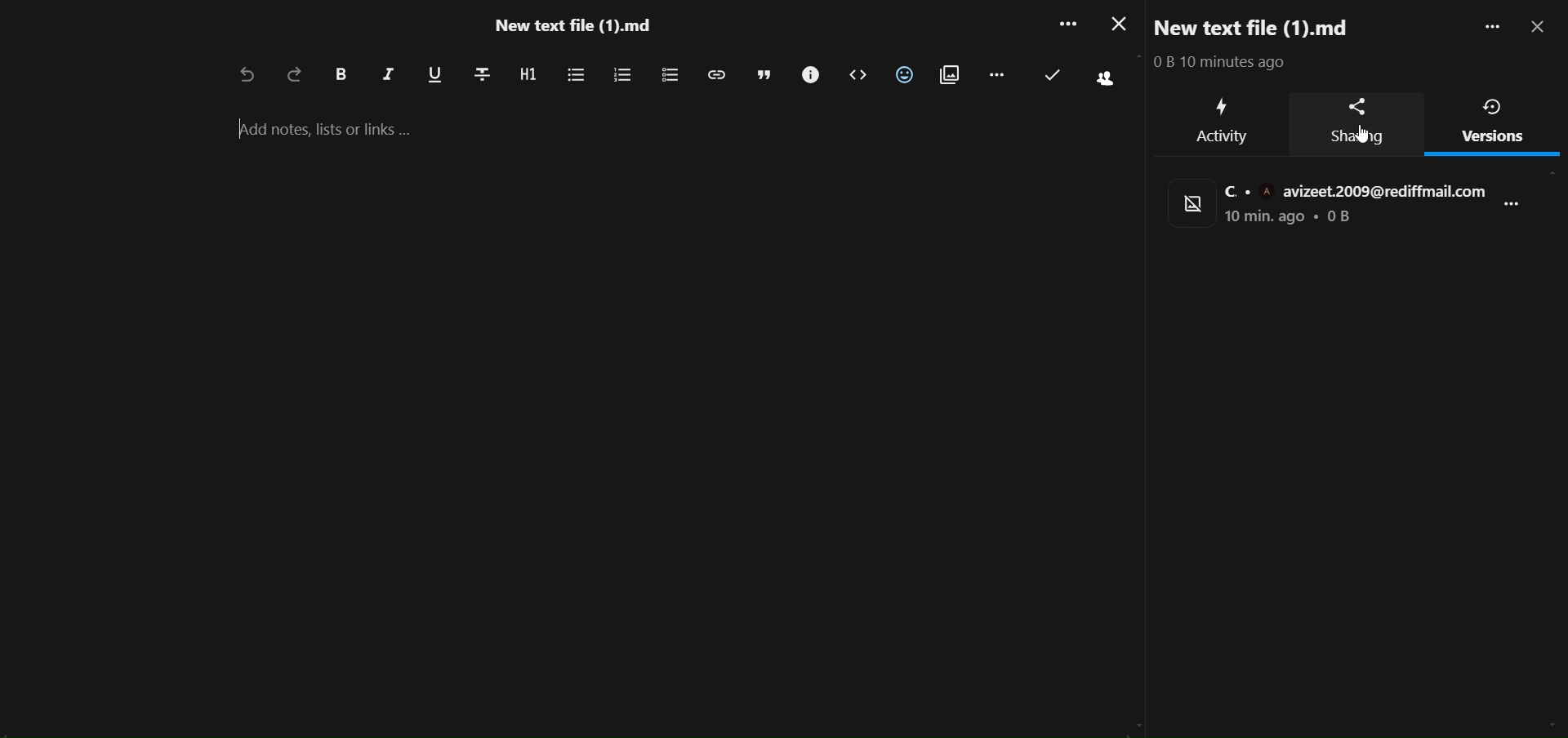 The image size is (1568, 738). What do you see at coordinates (342, 129) in the screenshot?
I see `add notes` at bounding box center [342, 129].